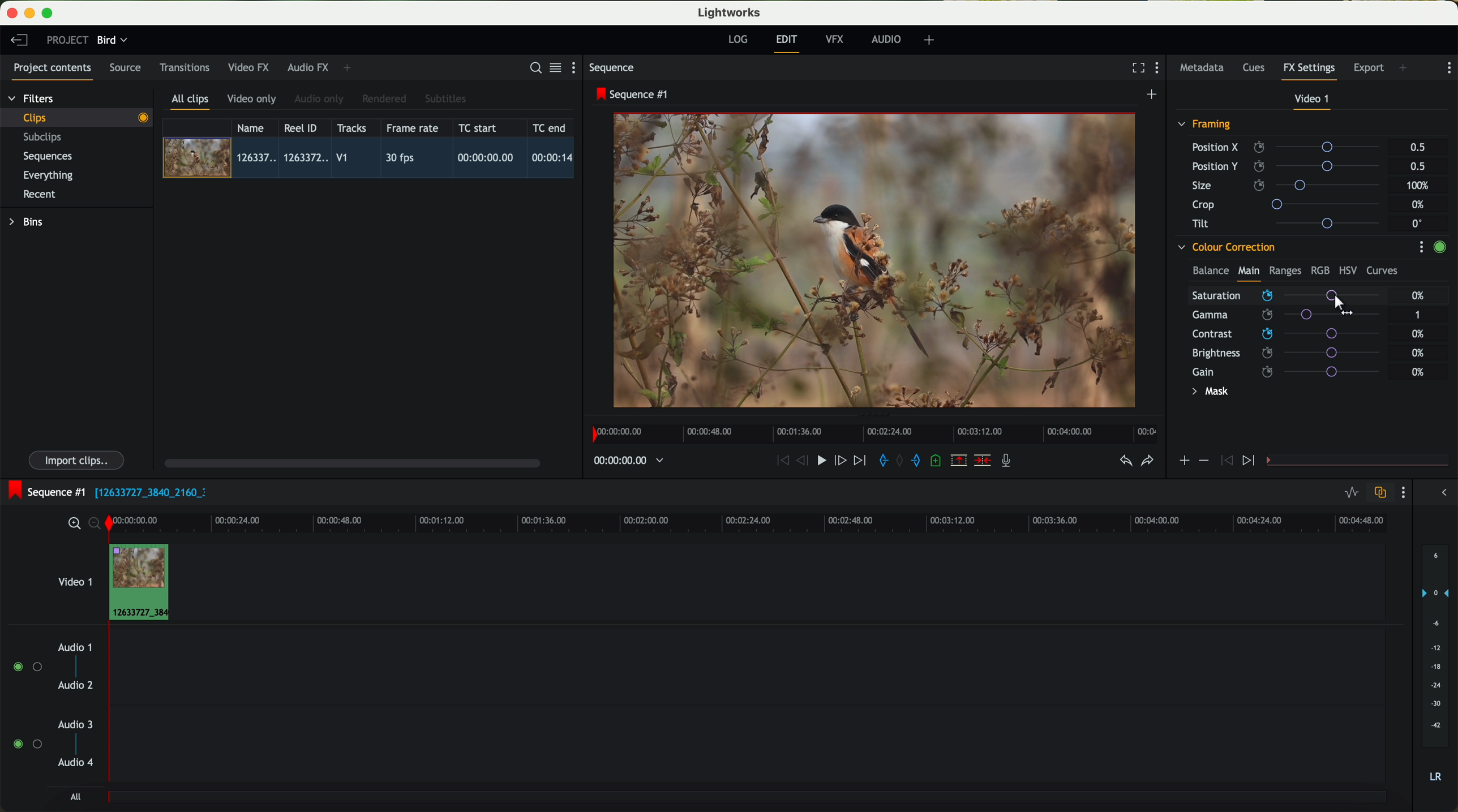  I want to click on sequence #1, so click(44, 492).